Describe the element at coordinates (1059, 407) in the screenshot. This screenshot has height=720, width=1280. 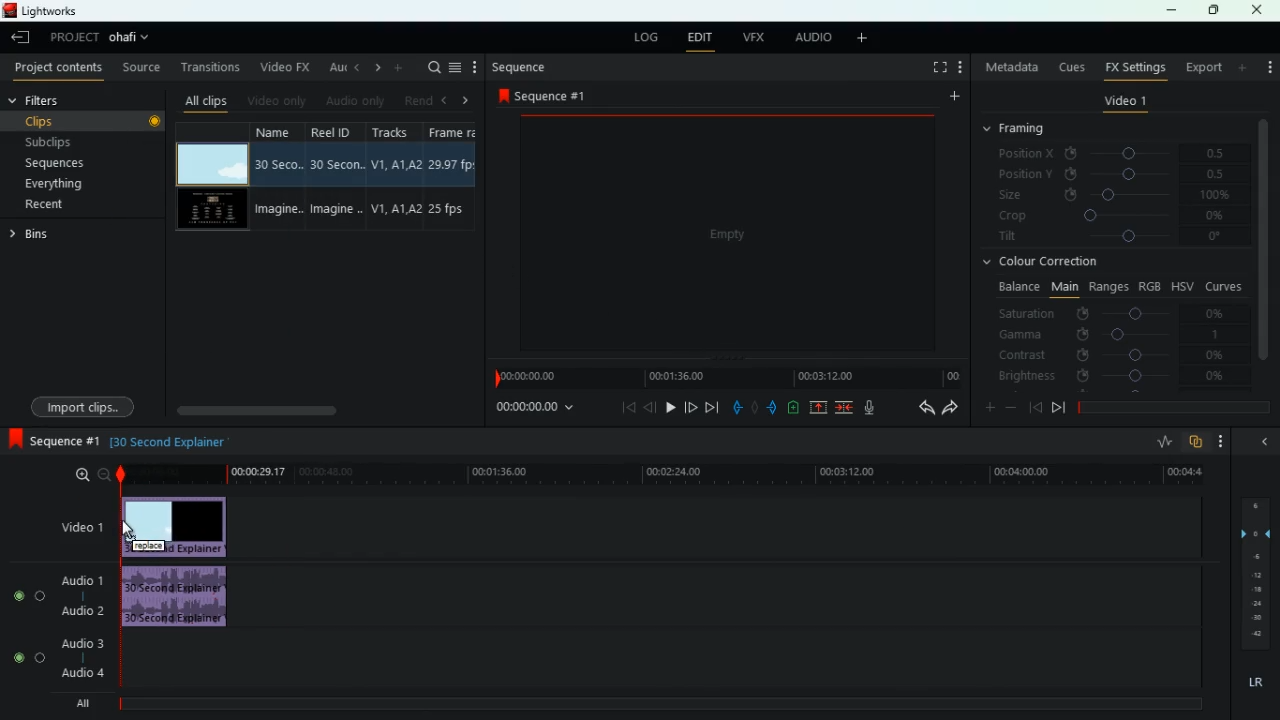
I see `front` at that location.